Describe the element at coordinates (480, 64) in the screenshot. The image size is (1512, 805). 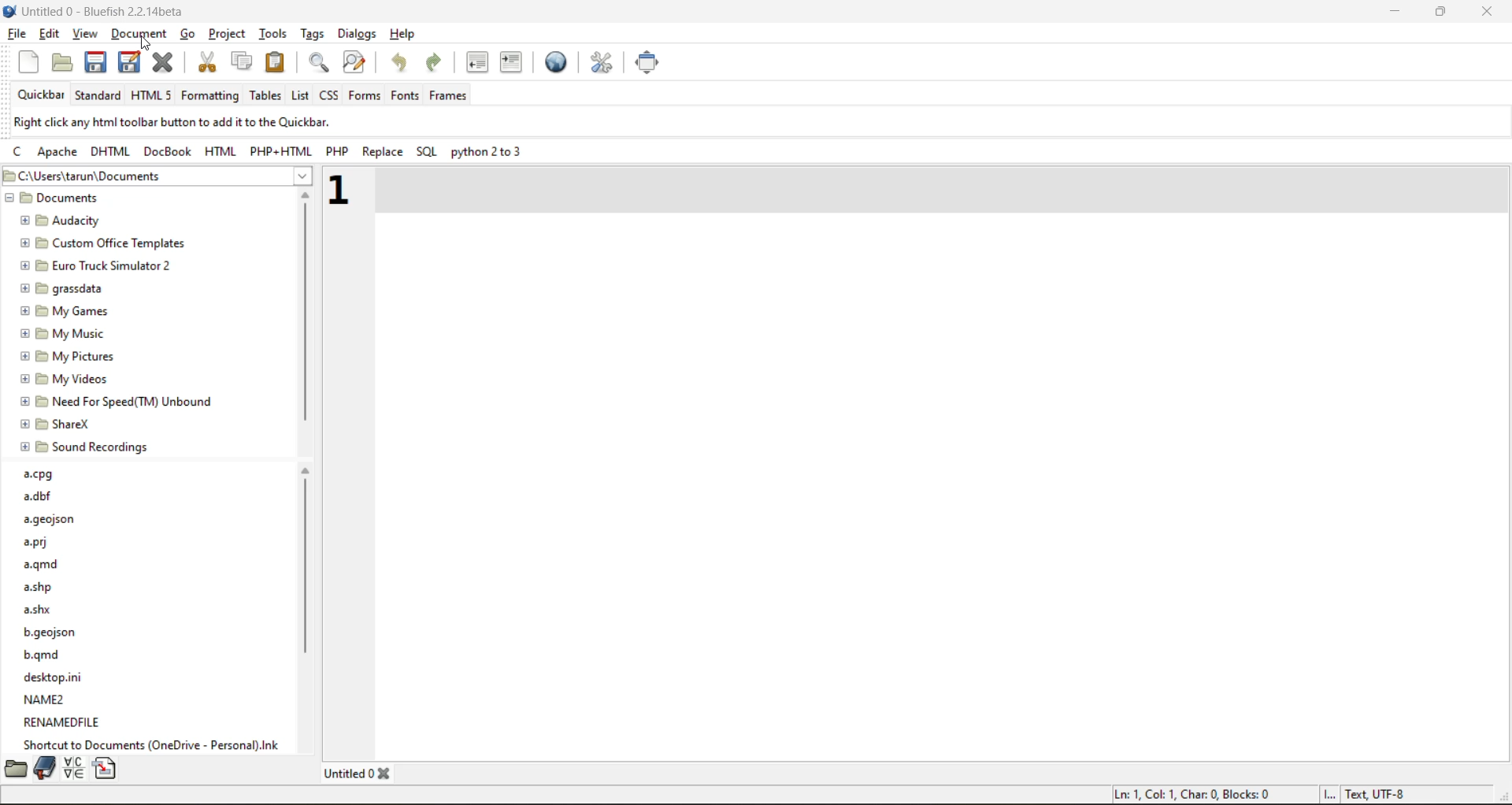
I see `uindent` at that location.